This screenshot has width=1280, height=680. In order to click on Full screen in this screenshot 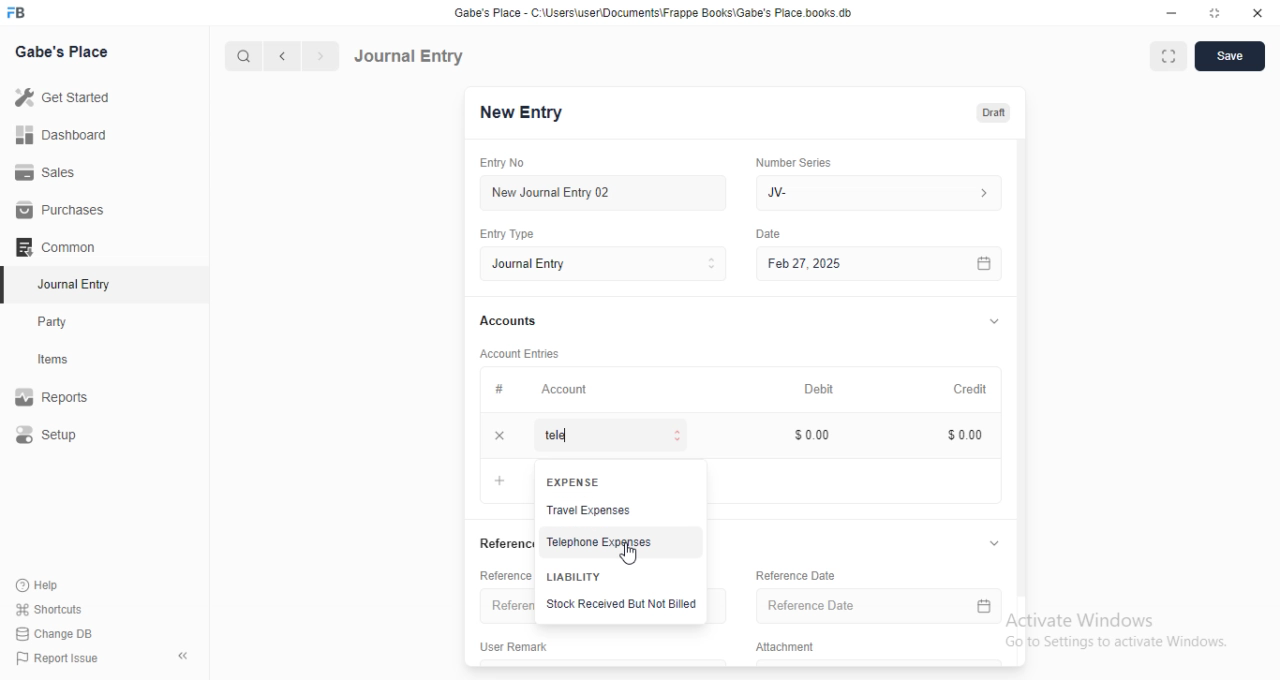, I will do `click(1216, 13)`.